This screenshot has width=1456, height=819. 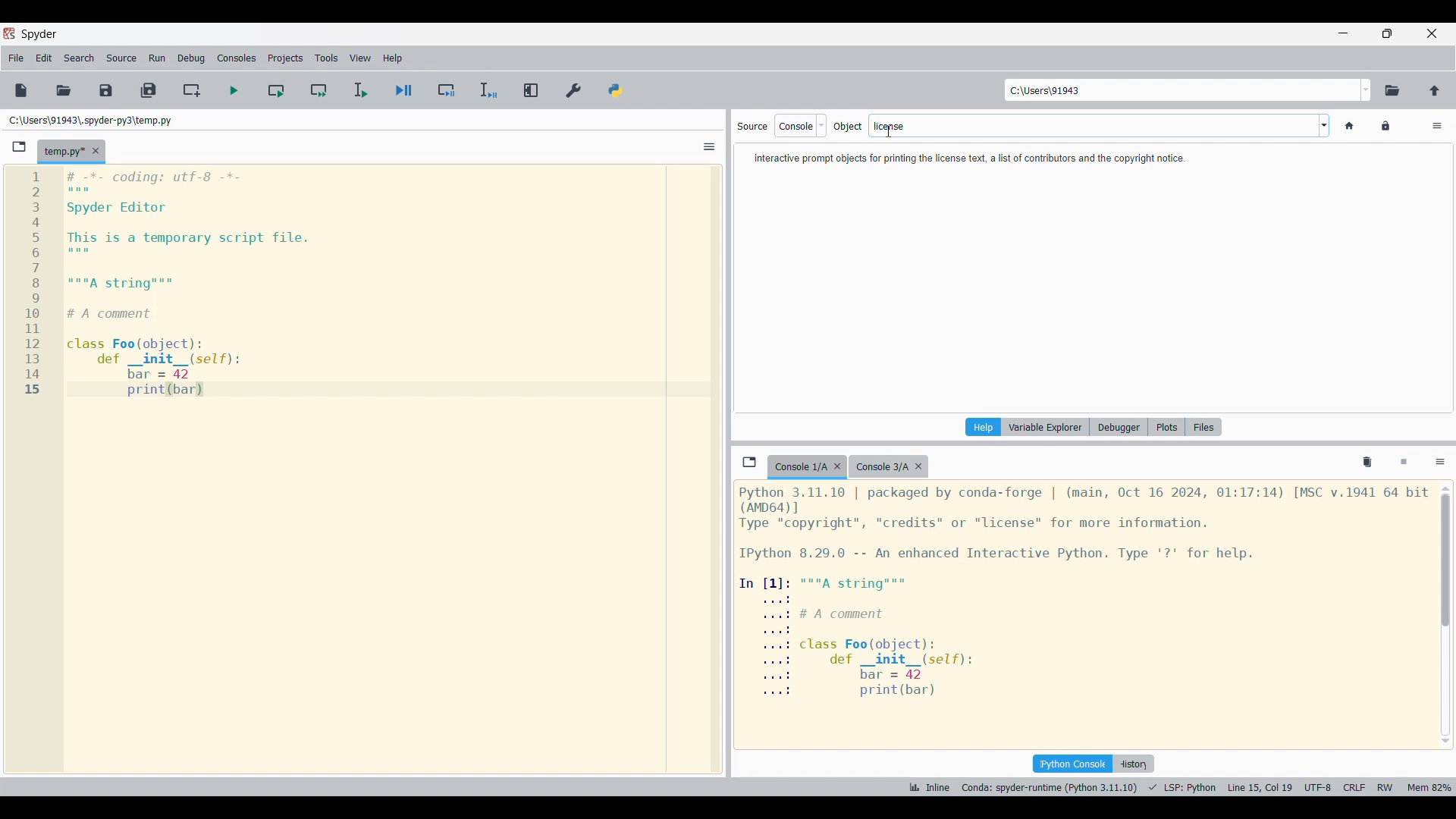 I want to click on RW, so click(x=1386, y=786).